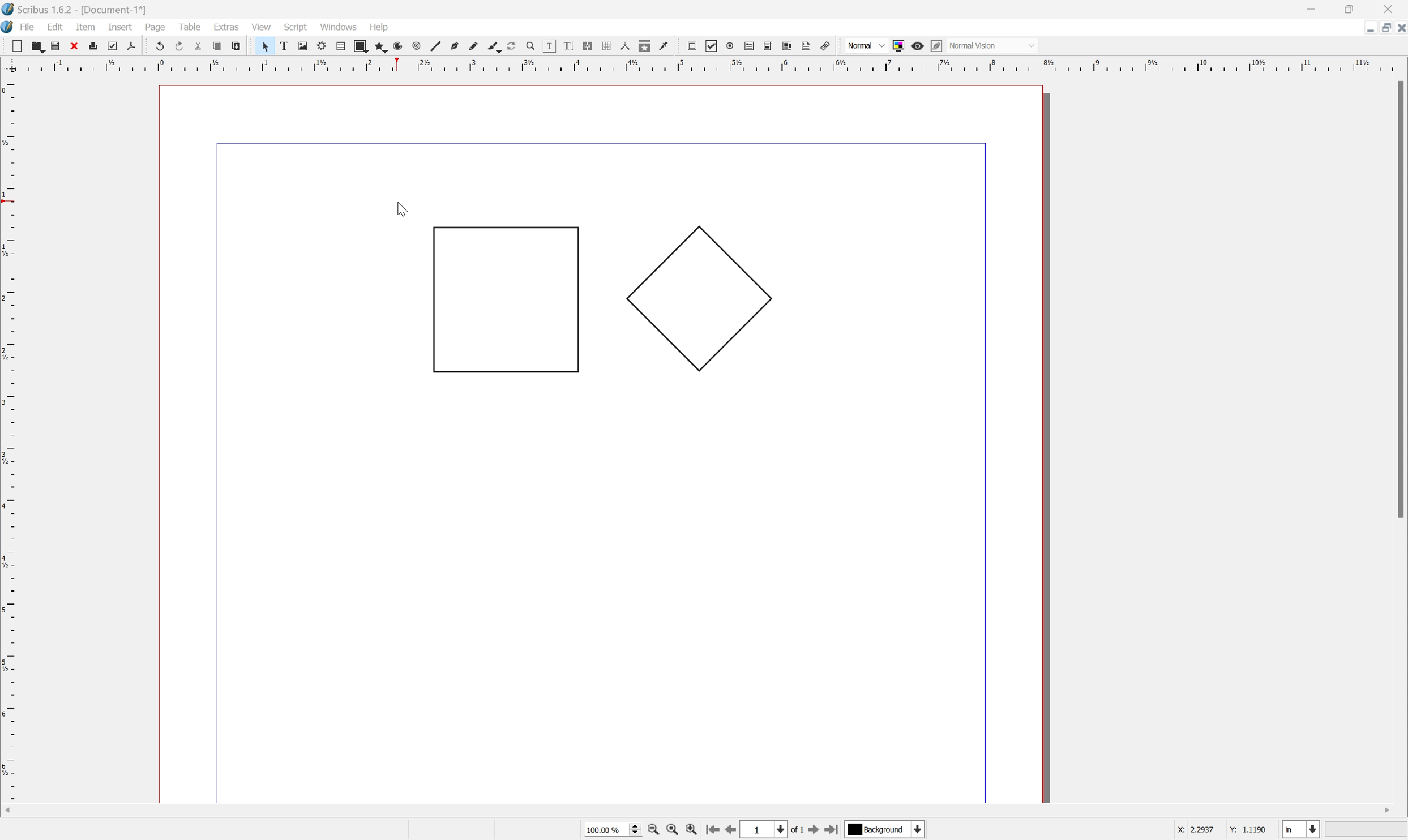 The image size is (1408, 840). I want to click on item, so click(87, 27).